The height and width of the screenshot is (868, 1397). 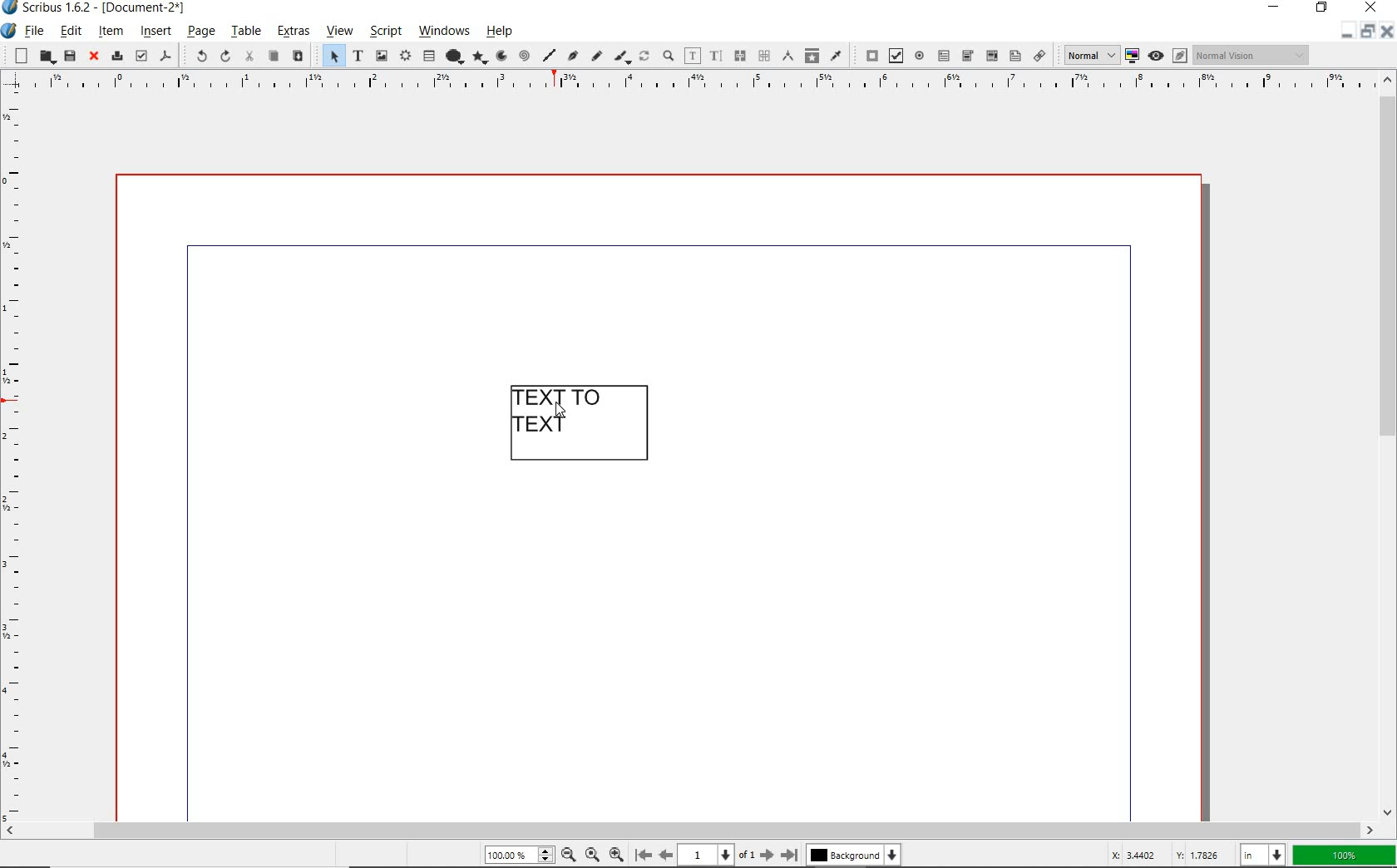 I want to click on select image preview quality, so click(x=1088, y=54).